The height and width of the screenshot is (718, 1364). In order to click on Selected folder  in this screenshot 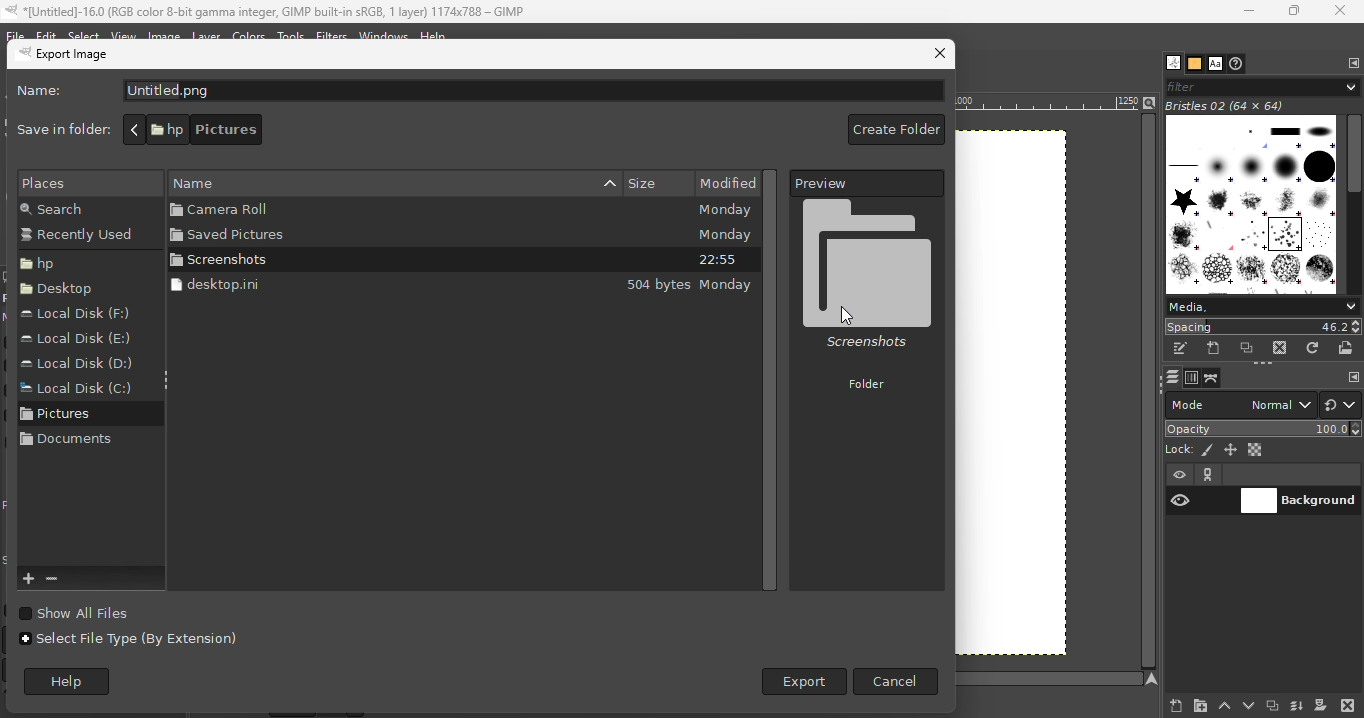, I will do `click(868, 300)`.